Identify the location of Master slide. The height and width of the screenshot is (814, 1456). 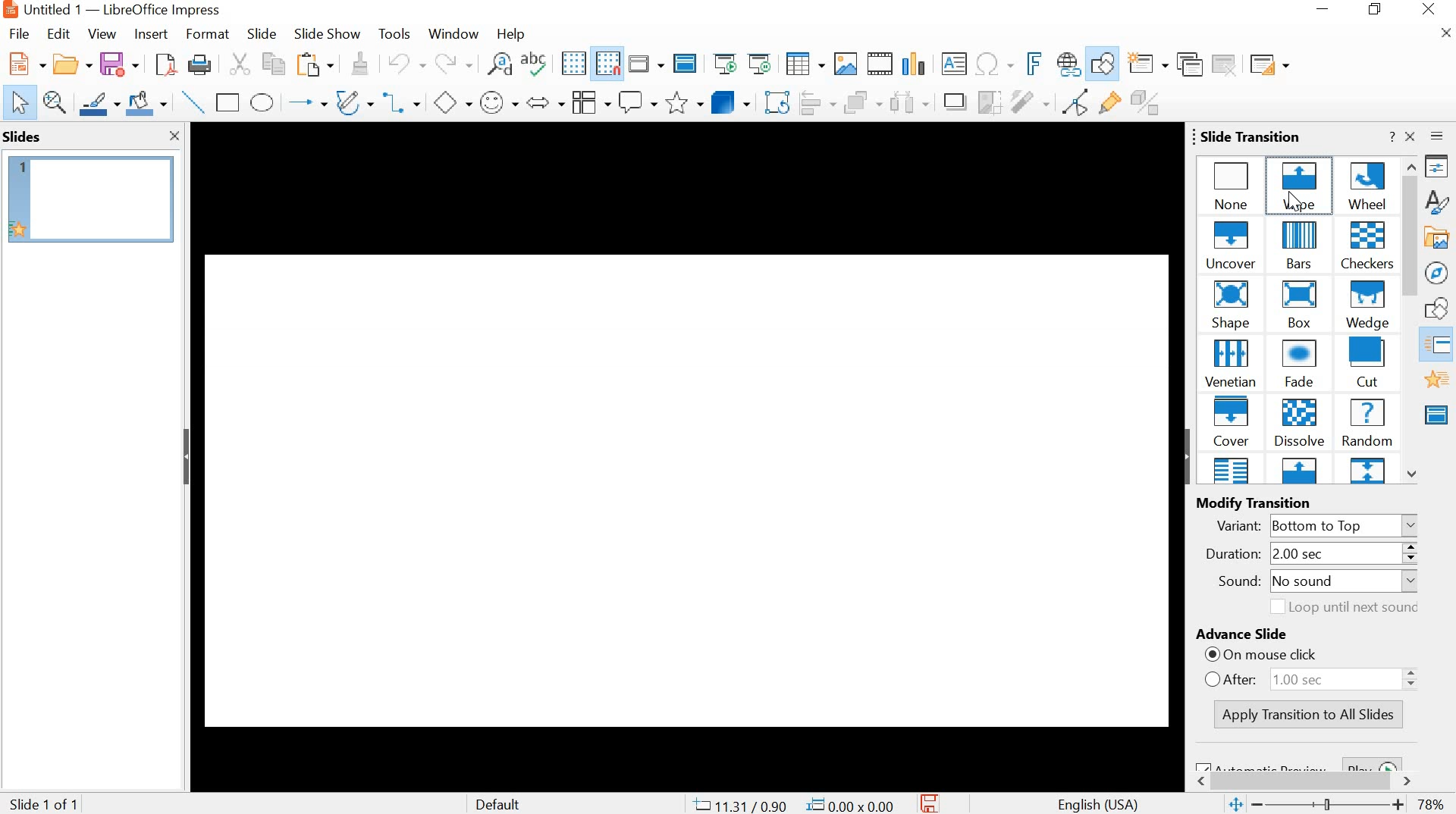
(687, 62).